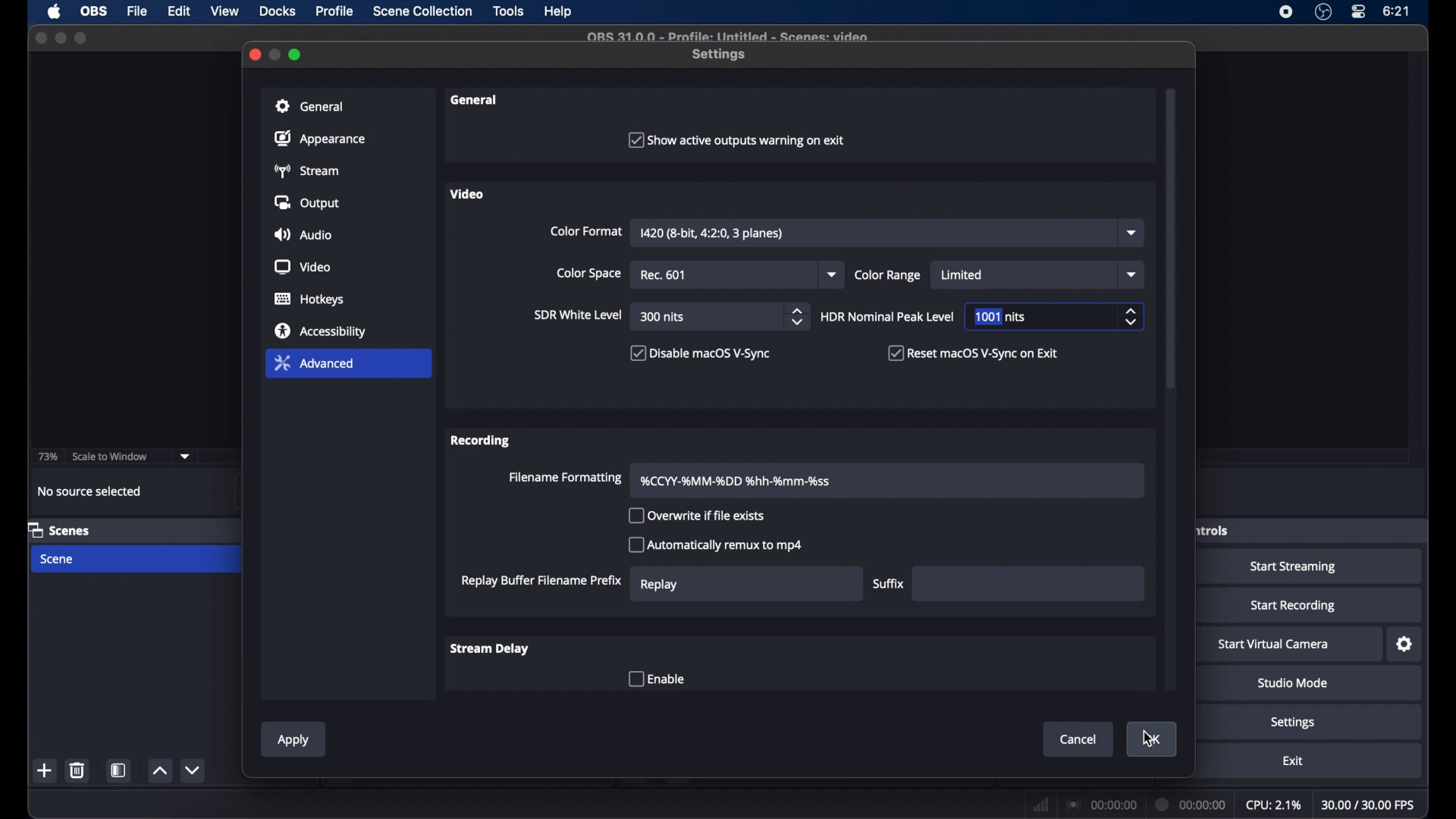 The image size is (1456, 819). I want to click on settings, so click(1293, 723).